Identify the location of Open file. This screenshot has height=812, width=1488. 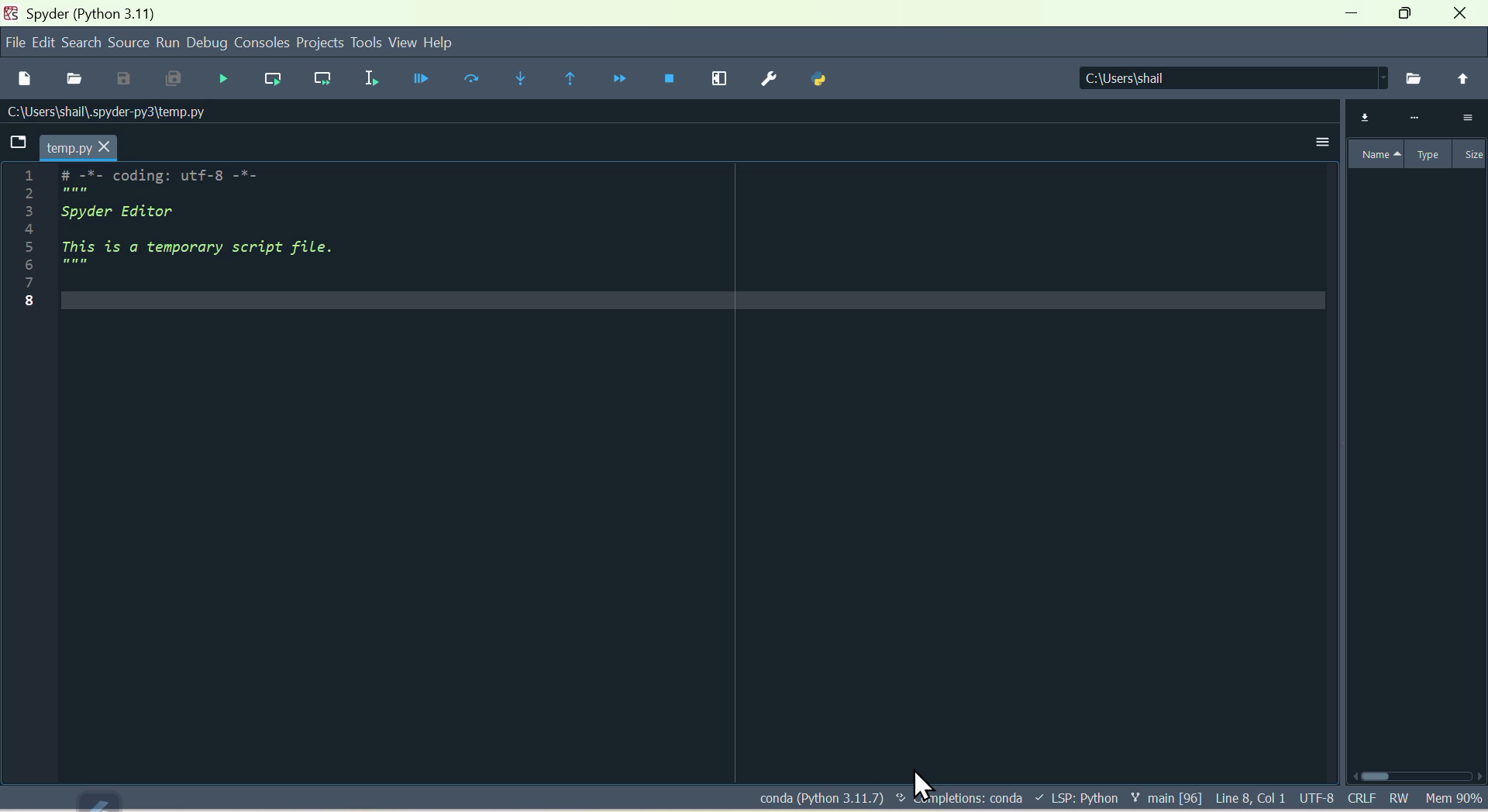
(74, 78).